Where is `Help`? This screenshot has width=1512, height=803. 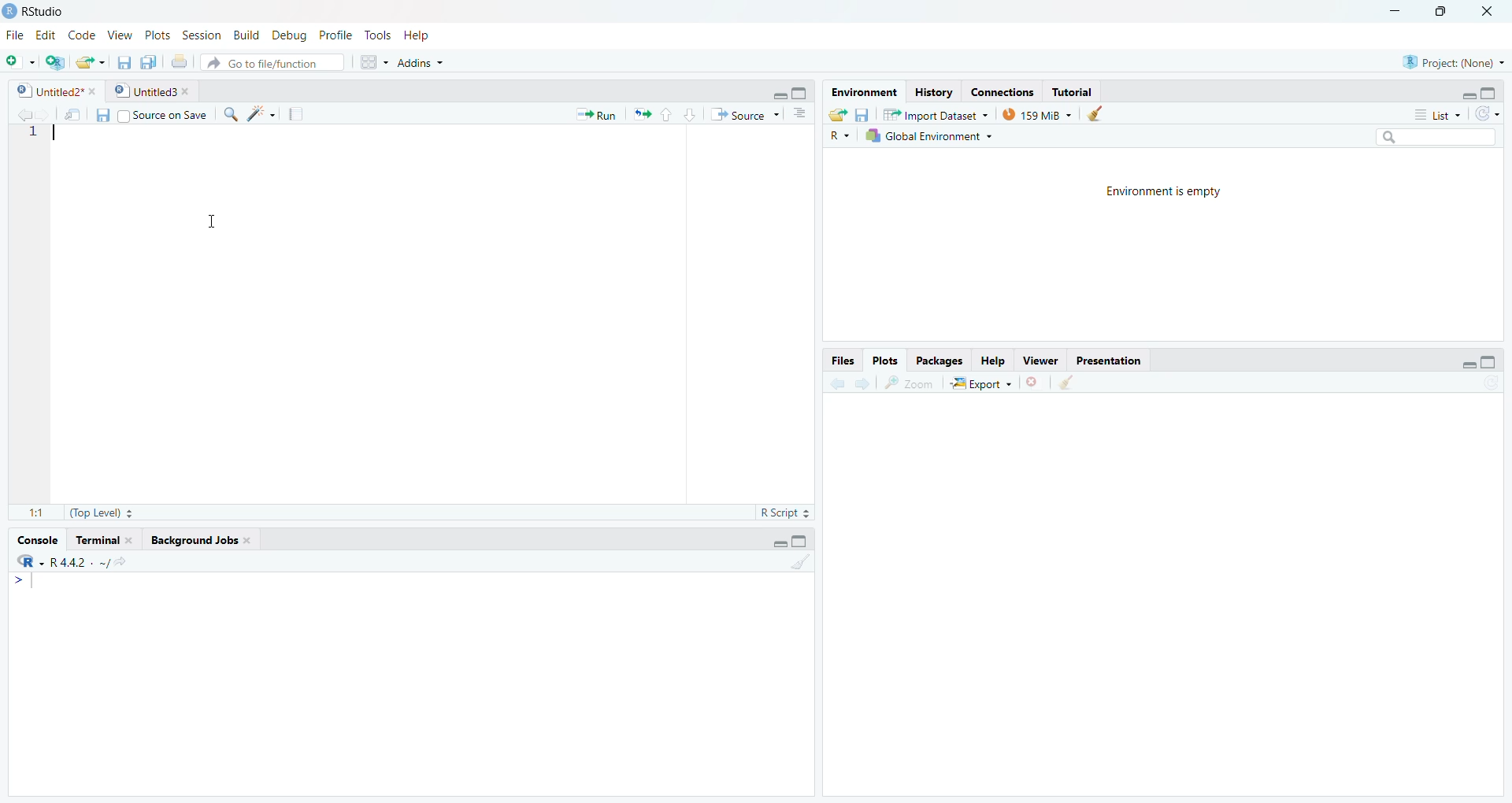
Help is located at coordinates (418, 35).